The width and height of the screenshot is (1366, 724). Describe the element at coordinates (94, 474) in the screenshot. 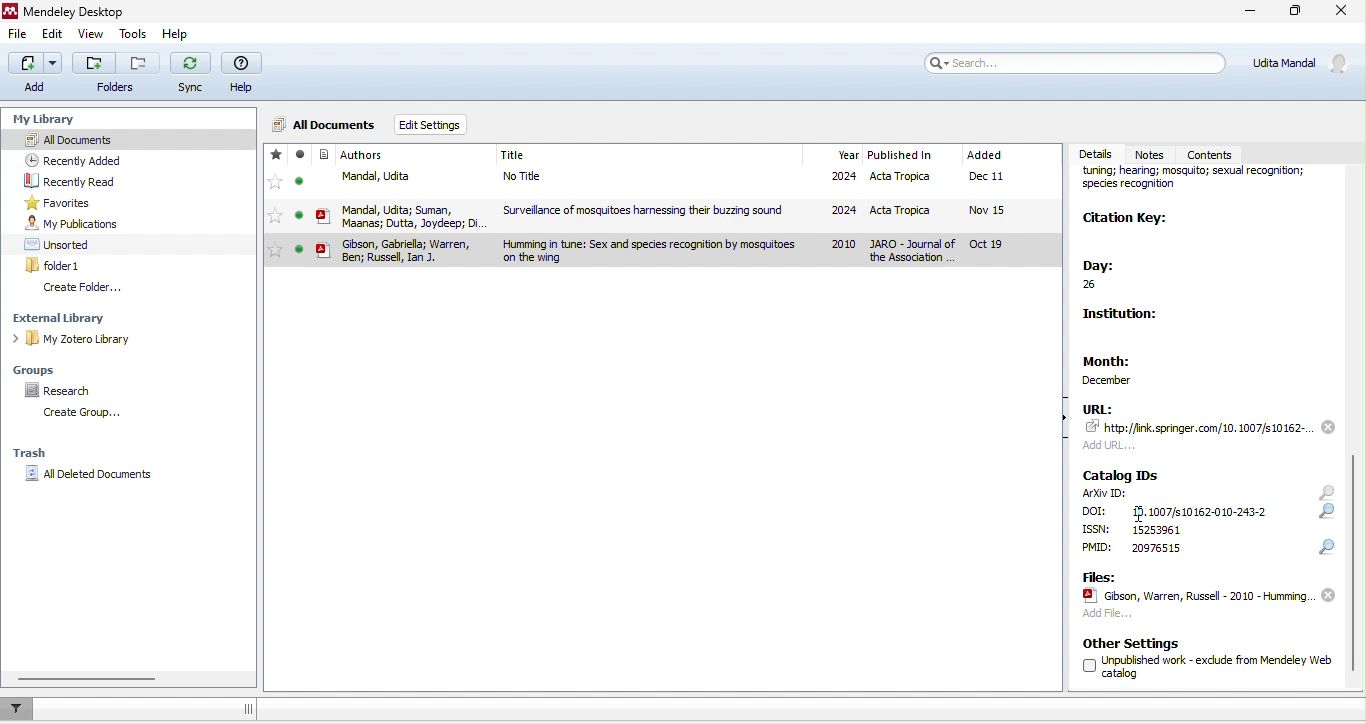

I see `all deleted documents` at that location.